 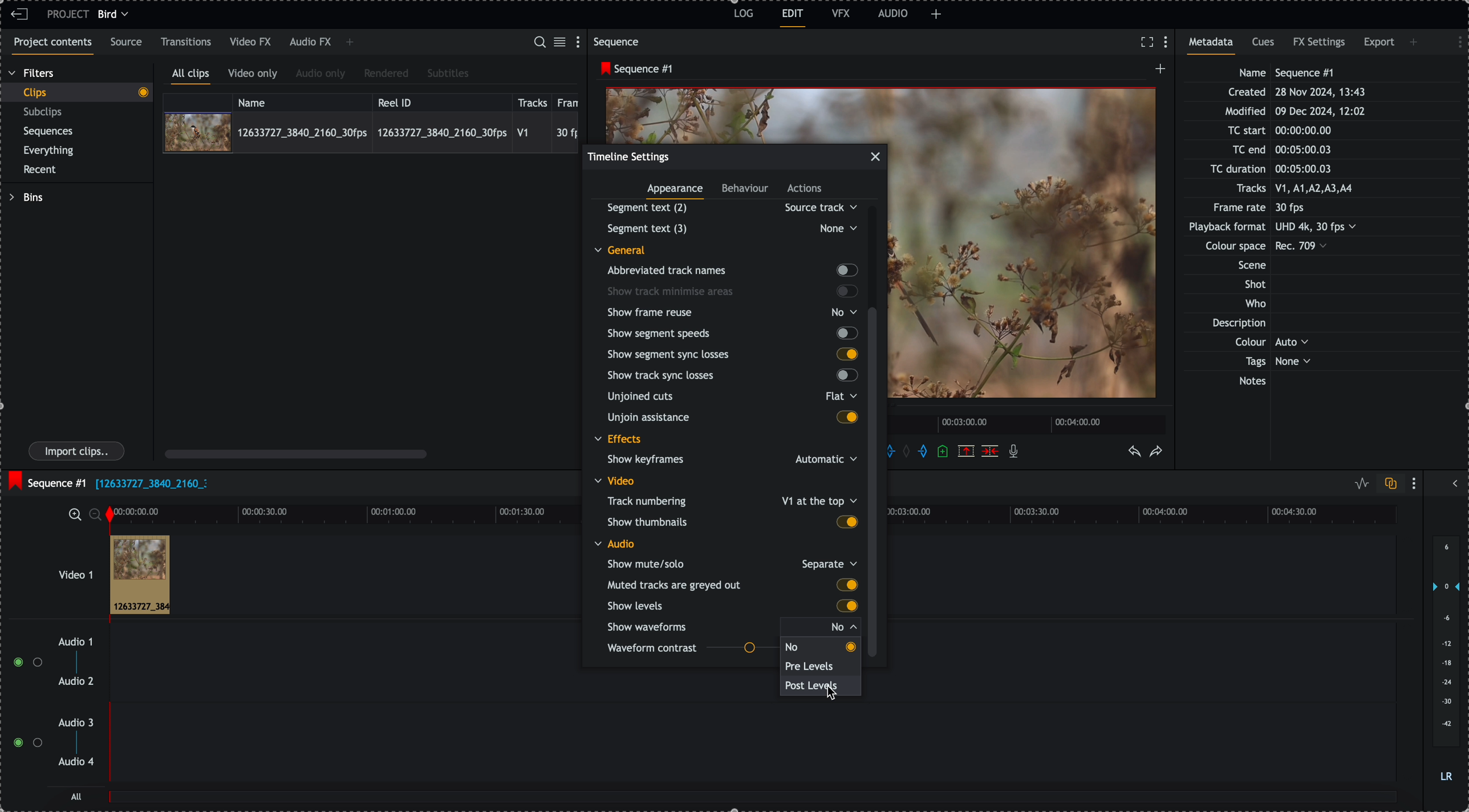 I want to click on redo, so click(x=1156, y=452).